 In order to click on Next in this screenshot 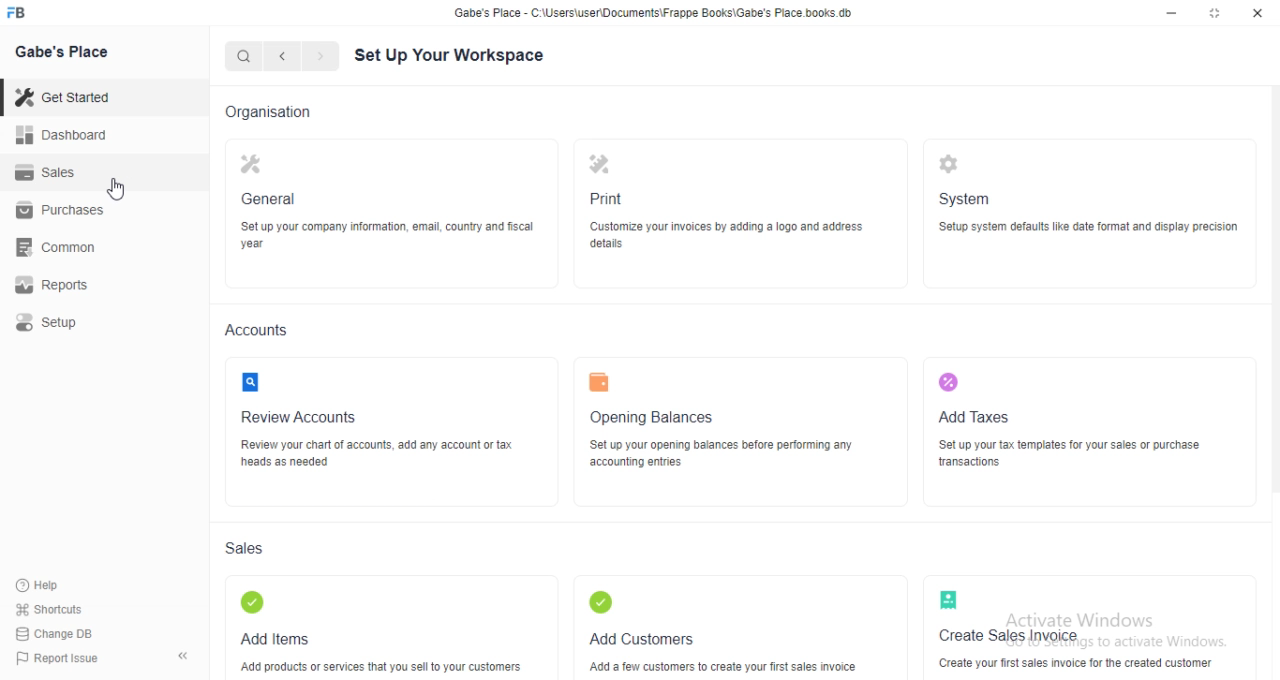, I will do `click(319, 54)`.